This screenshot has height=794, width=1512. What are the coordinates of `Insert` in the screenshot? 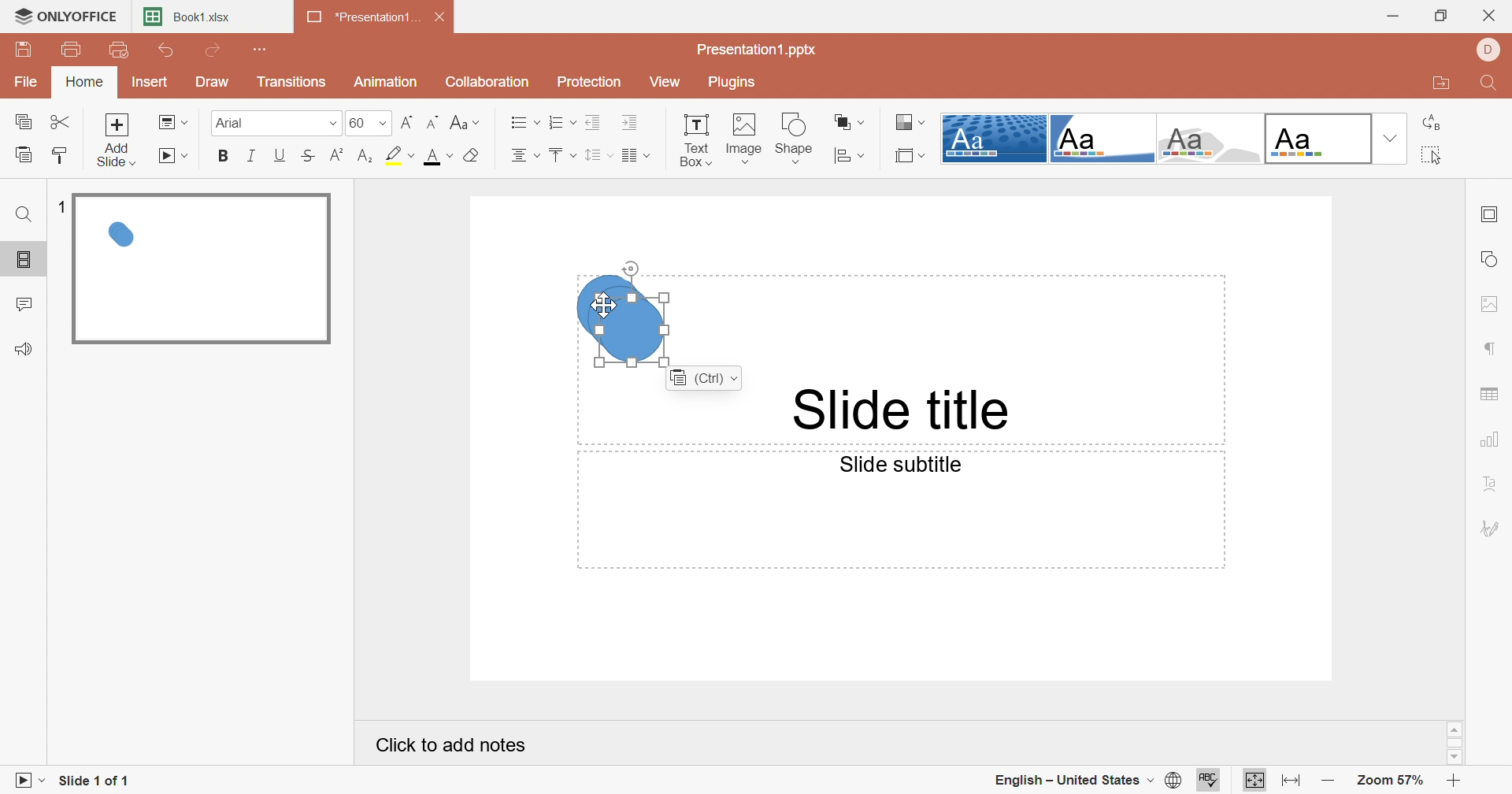 It's located at (149, 80).